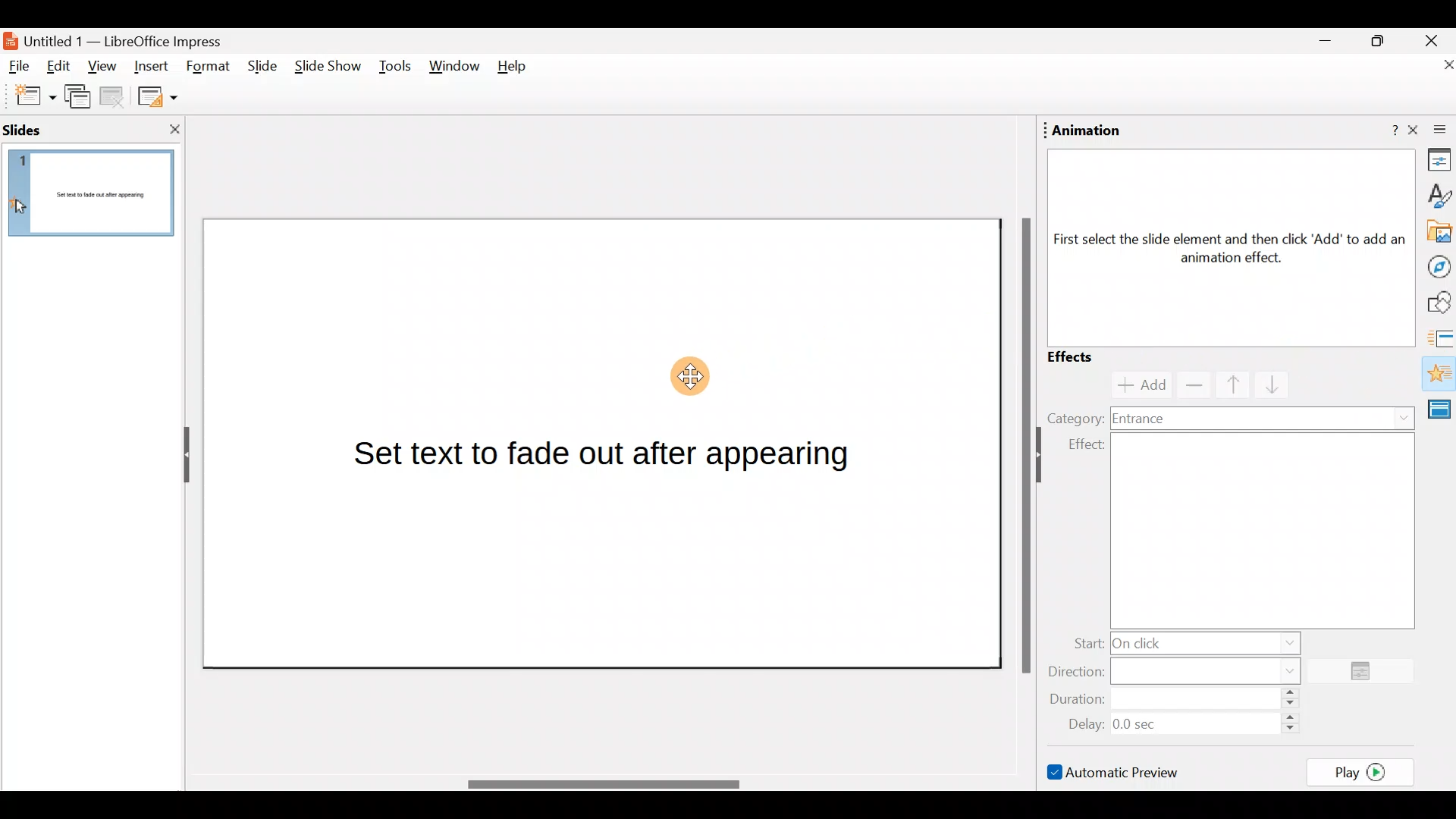  Describe the element at coordinates (209, 67) in the screenshot. I see `Format` at that location.